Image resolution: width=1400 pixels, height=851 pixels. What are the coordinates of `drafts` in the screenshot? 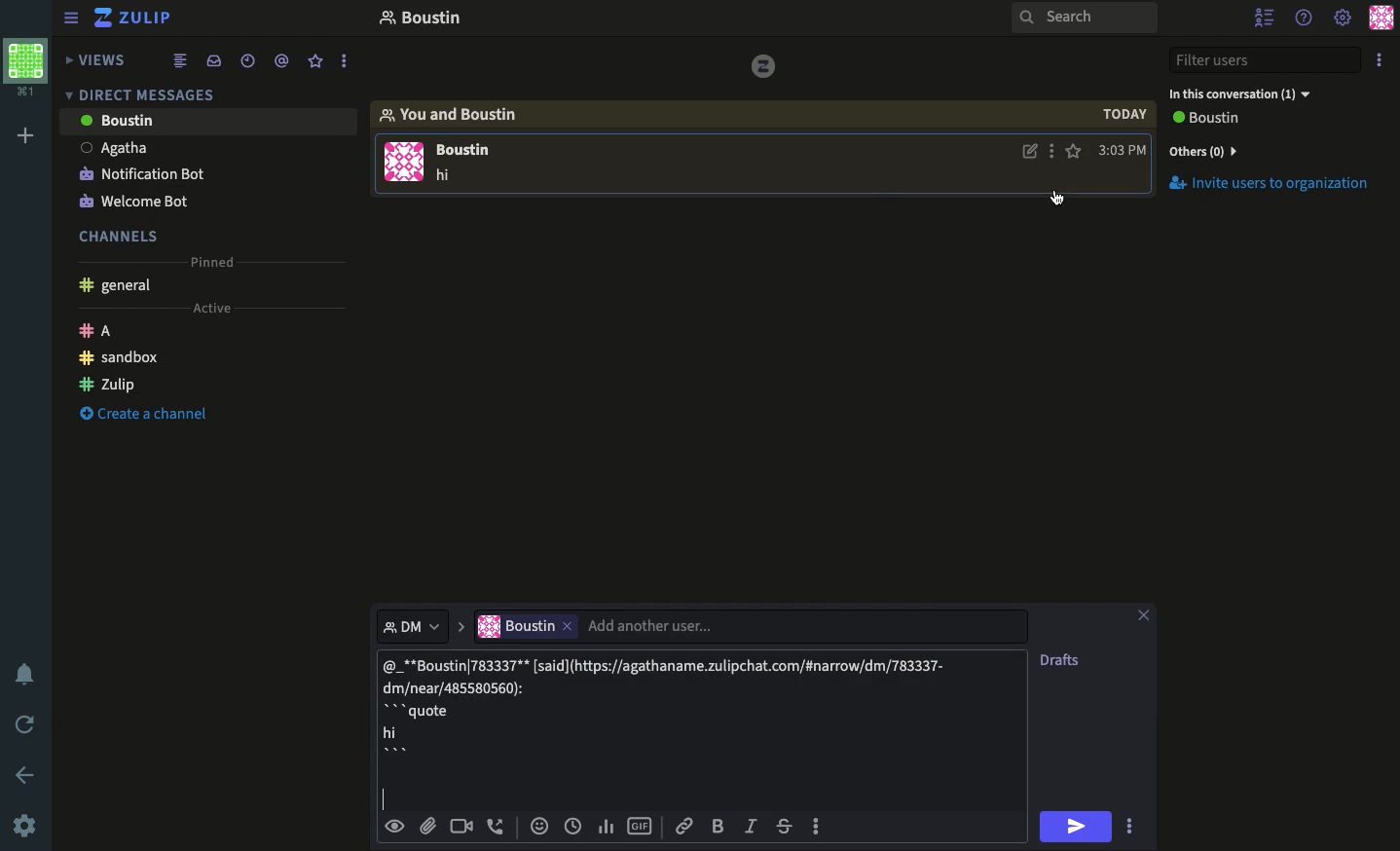 It's located at (1062, 660).